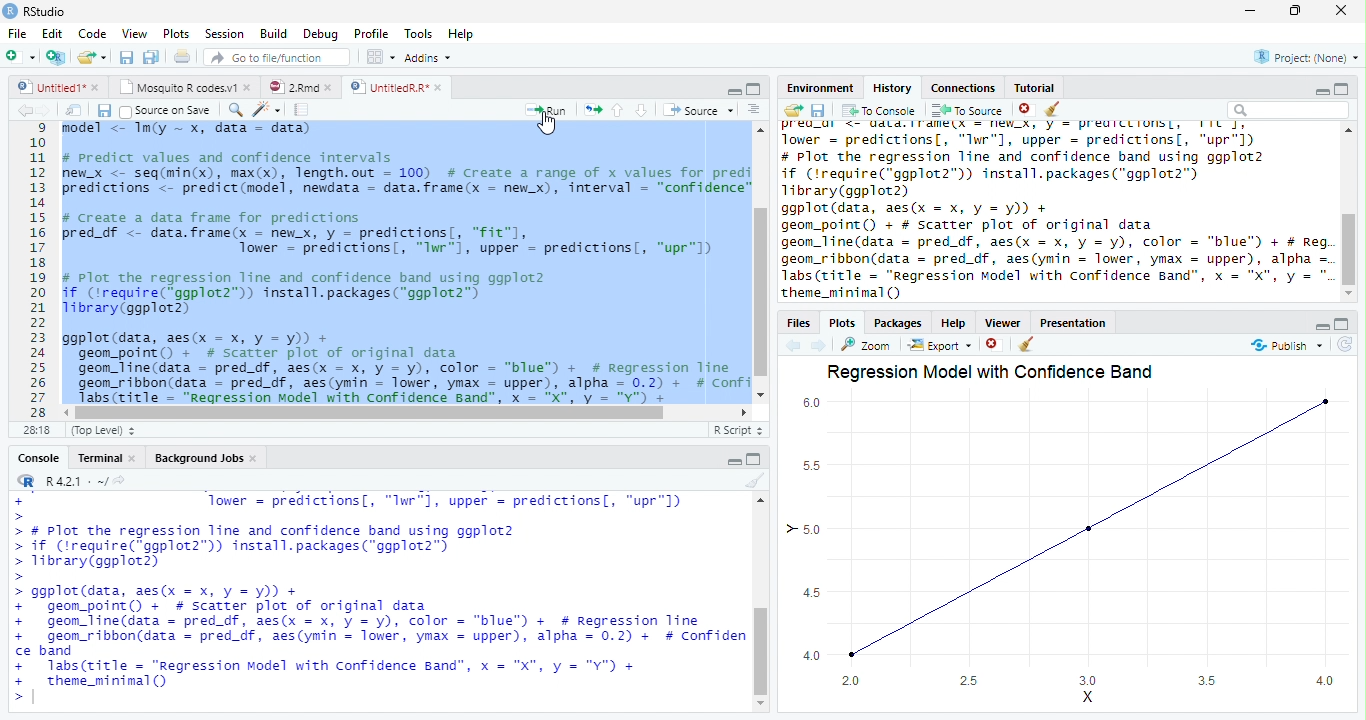 The image size is (1366, 720). What do you see at coordinates (761, 605) in the screenshot?
I see `Scrollbar` at bounding box center [761, 605].